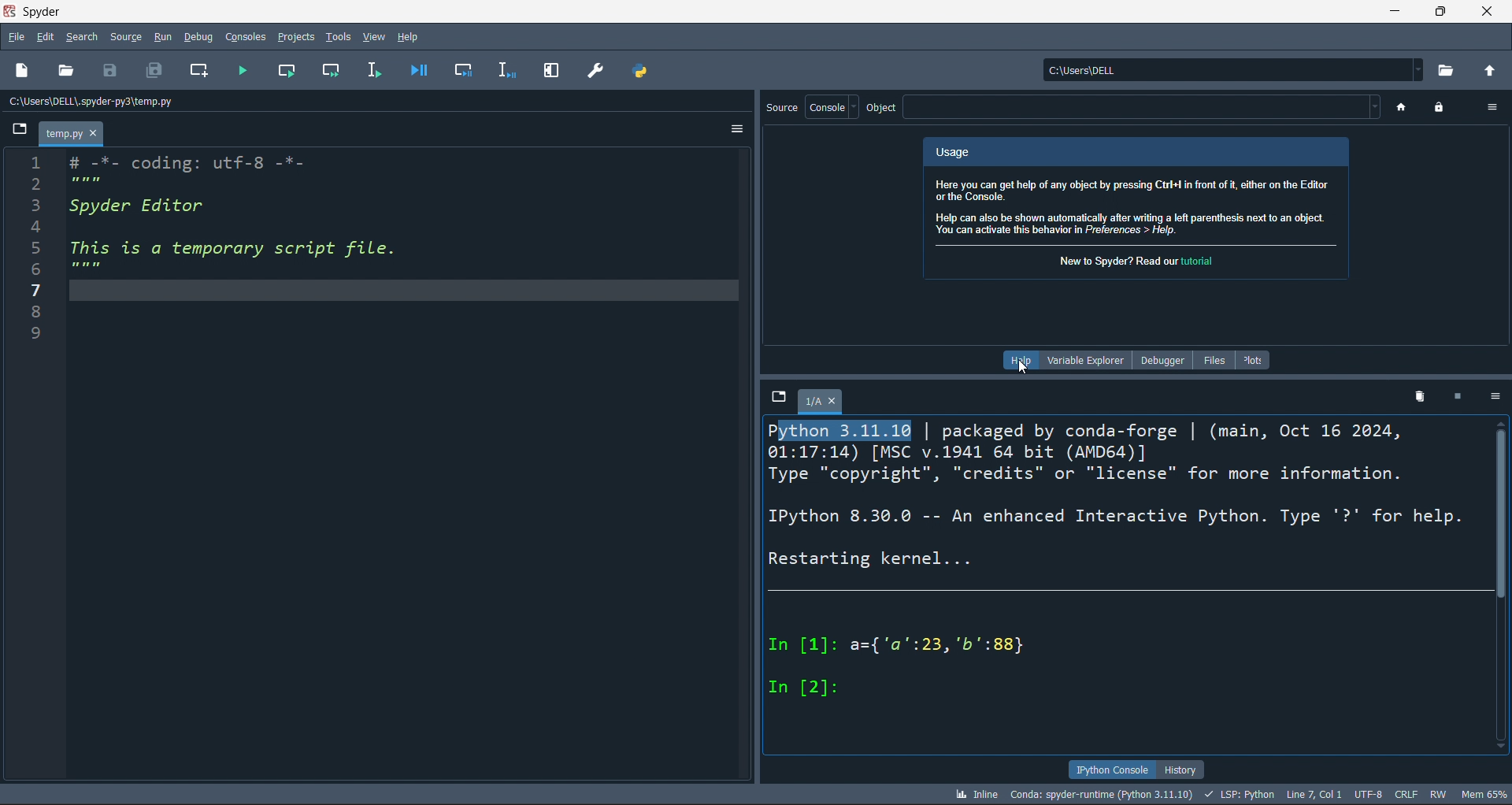  I want to click on LINE 7, COL 1, so click(1315, 792).